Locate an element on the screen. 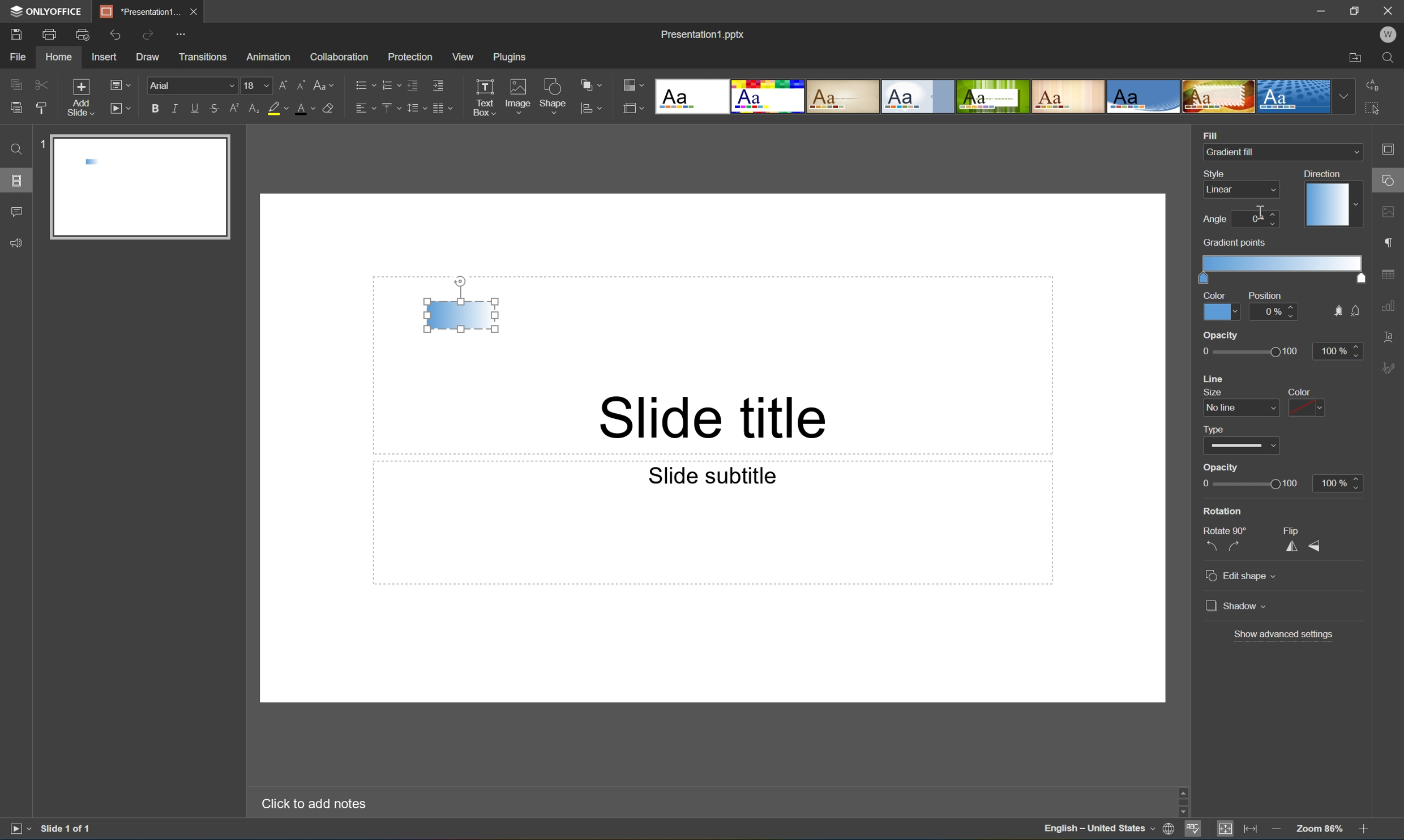  Text Art settings is located at coordinates (1389, 336).